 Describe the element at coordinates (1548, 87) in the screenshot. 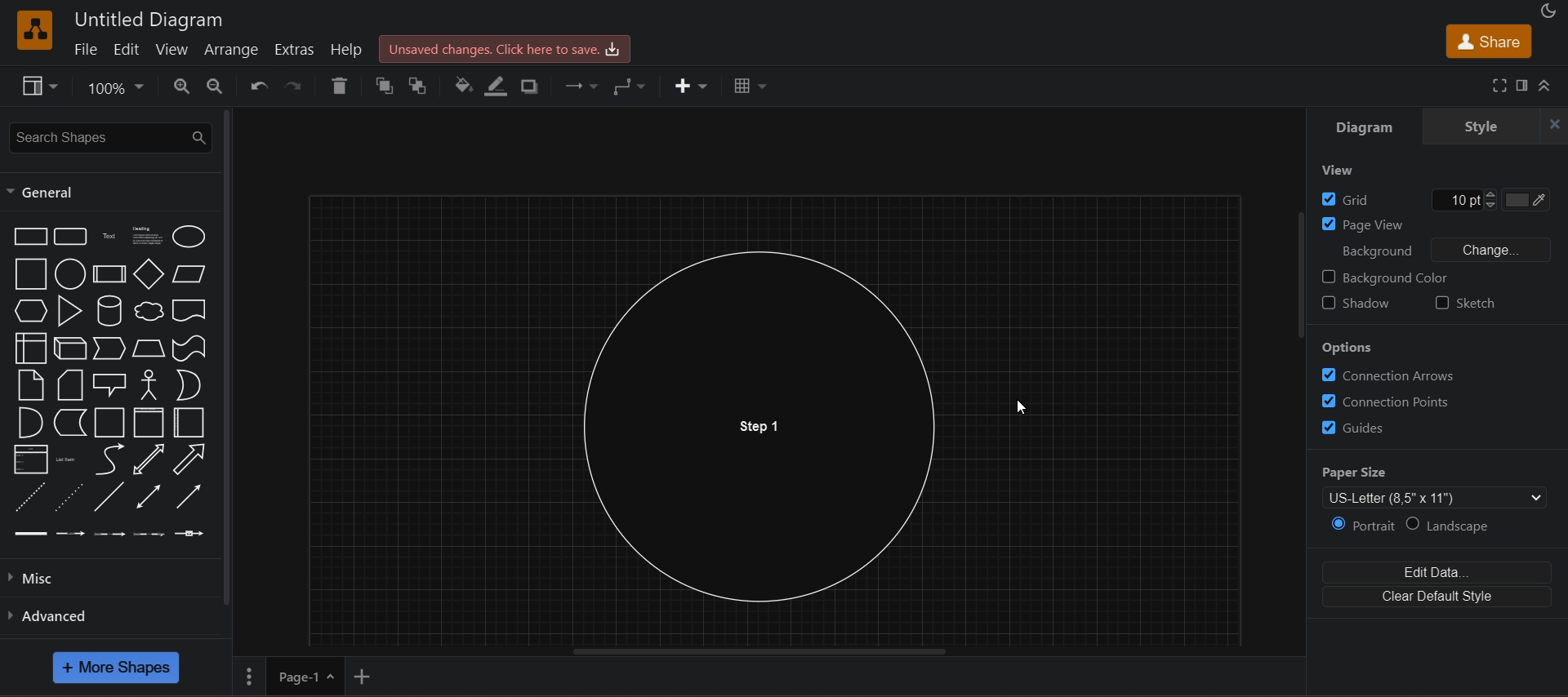

I see `collapase/expand` at that location.